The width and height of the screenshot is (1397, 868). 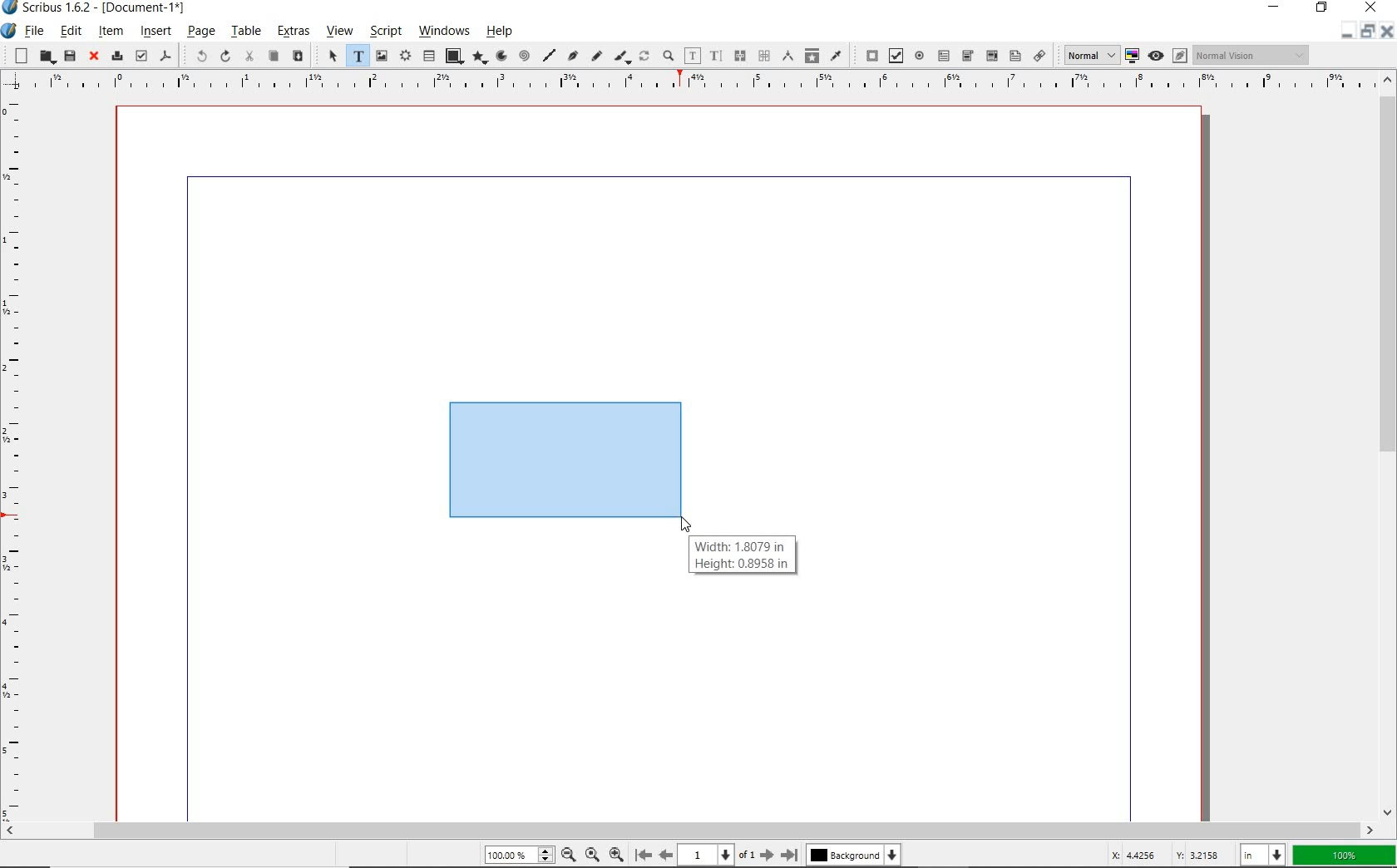 What do you see at coordinates (853, 856) in the screenshot?
I see `Background` at bounding box center [853, 856].